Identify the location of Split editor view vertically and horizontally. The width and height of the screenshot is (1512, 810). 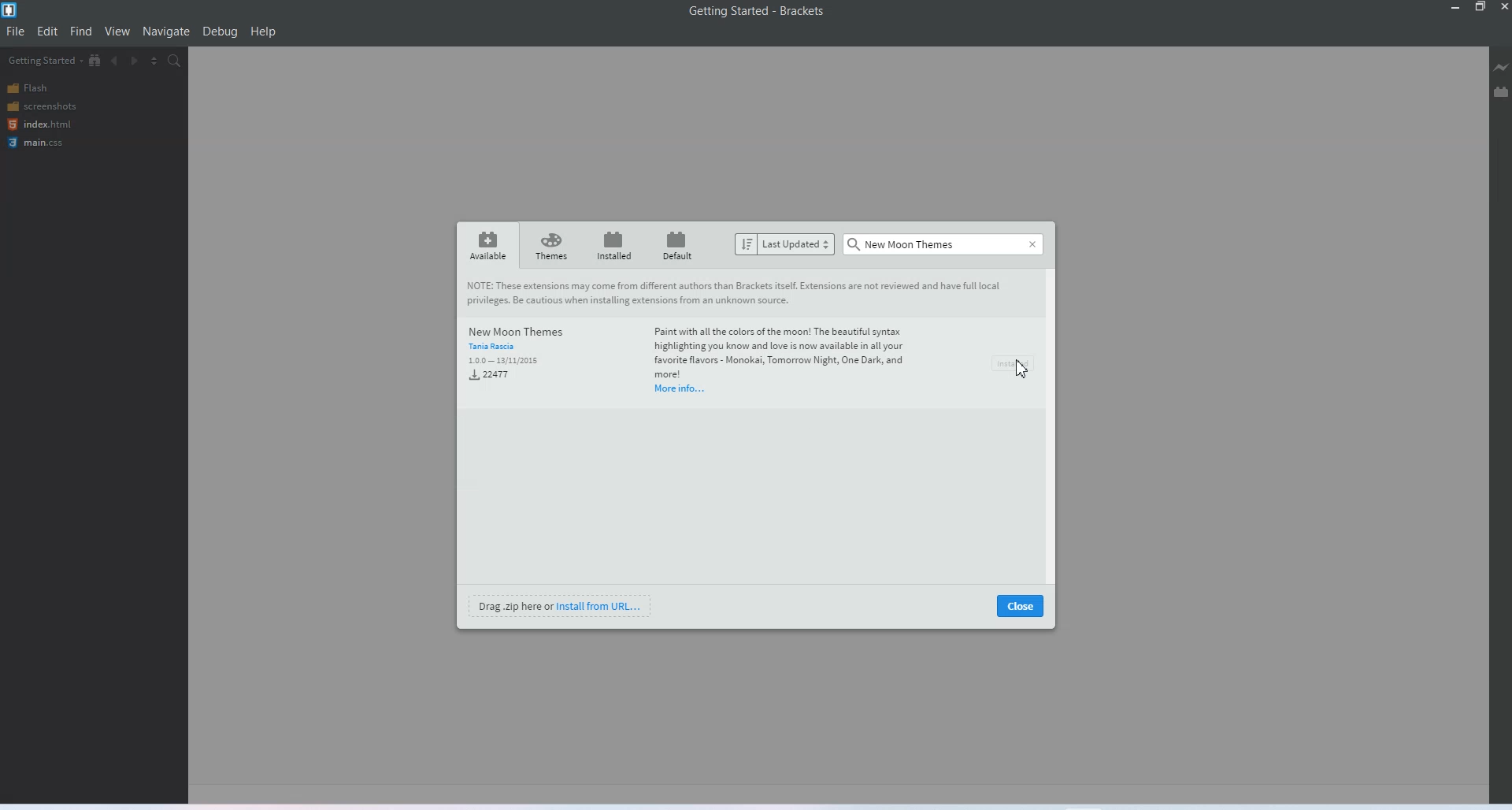
(154, 60).